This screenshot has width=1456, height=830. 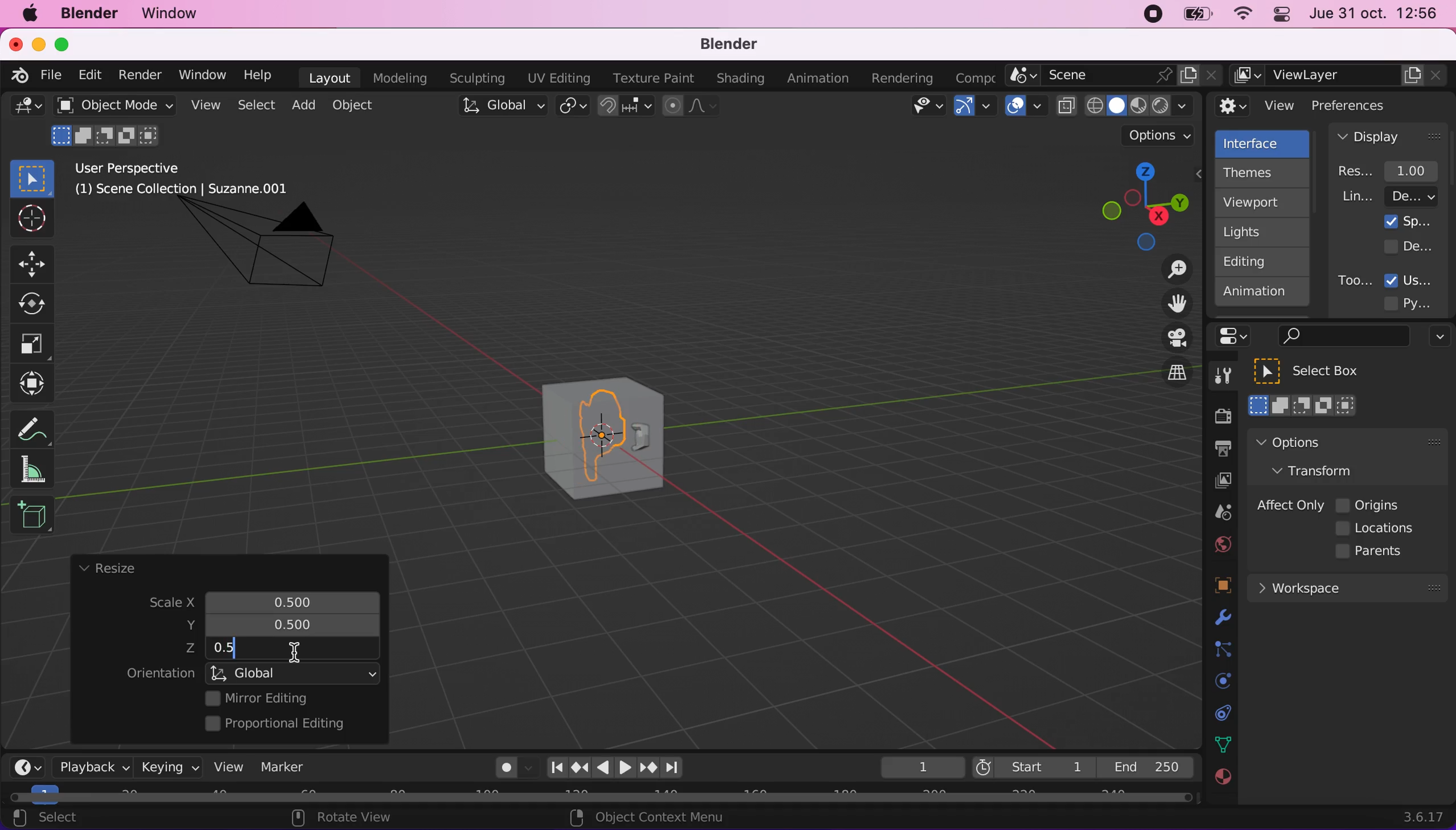 I want to click on render, so click(x=139, y=76).